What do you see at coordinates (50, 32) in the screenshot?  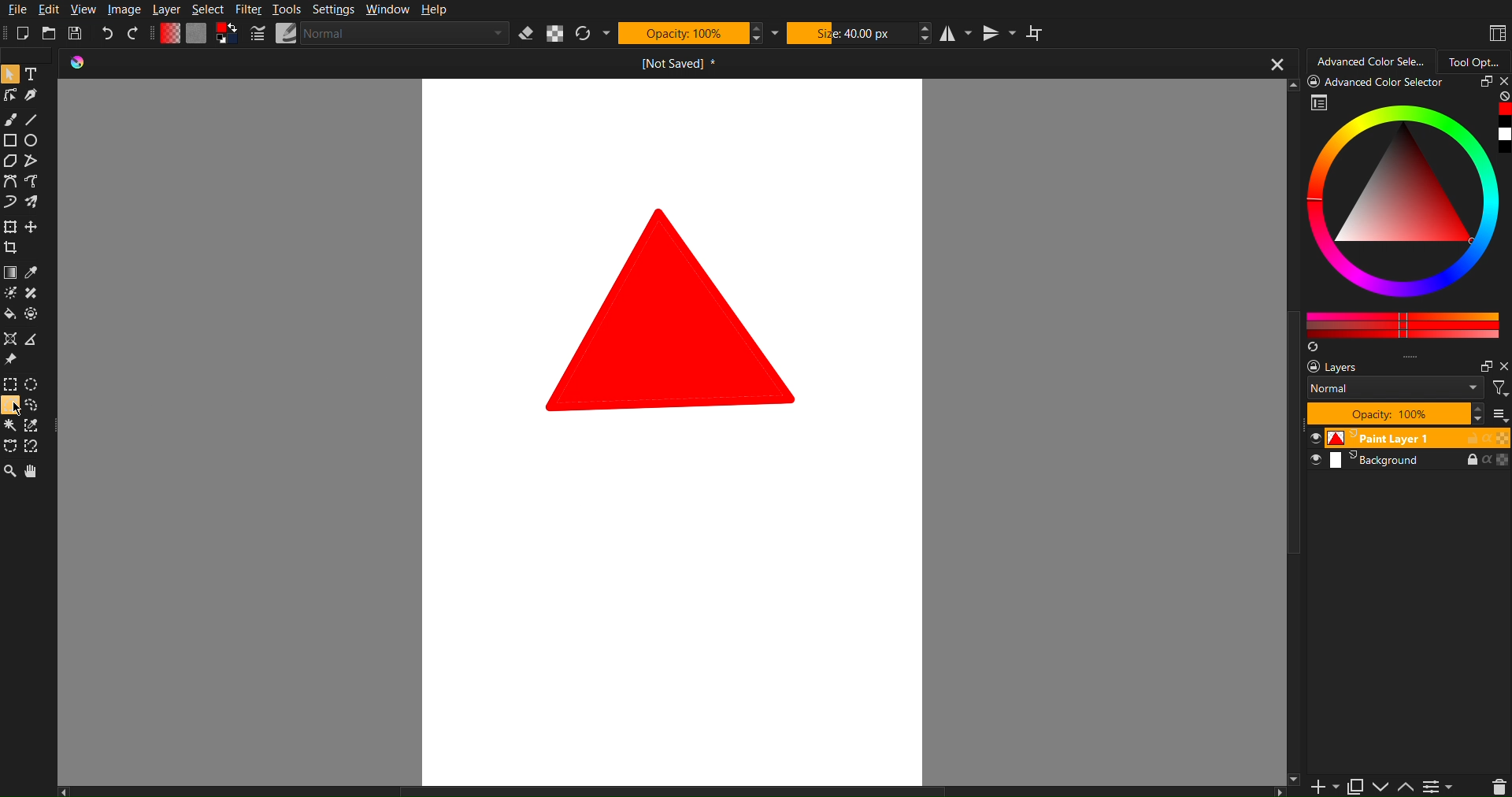 I see `Open` at bounding box center [50, 32].